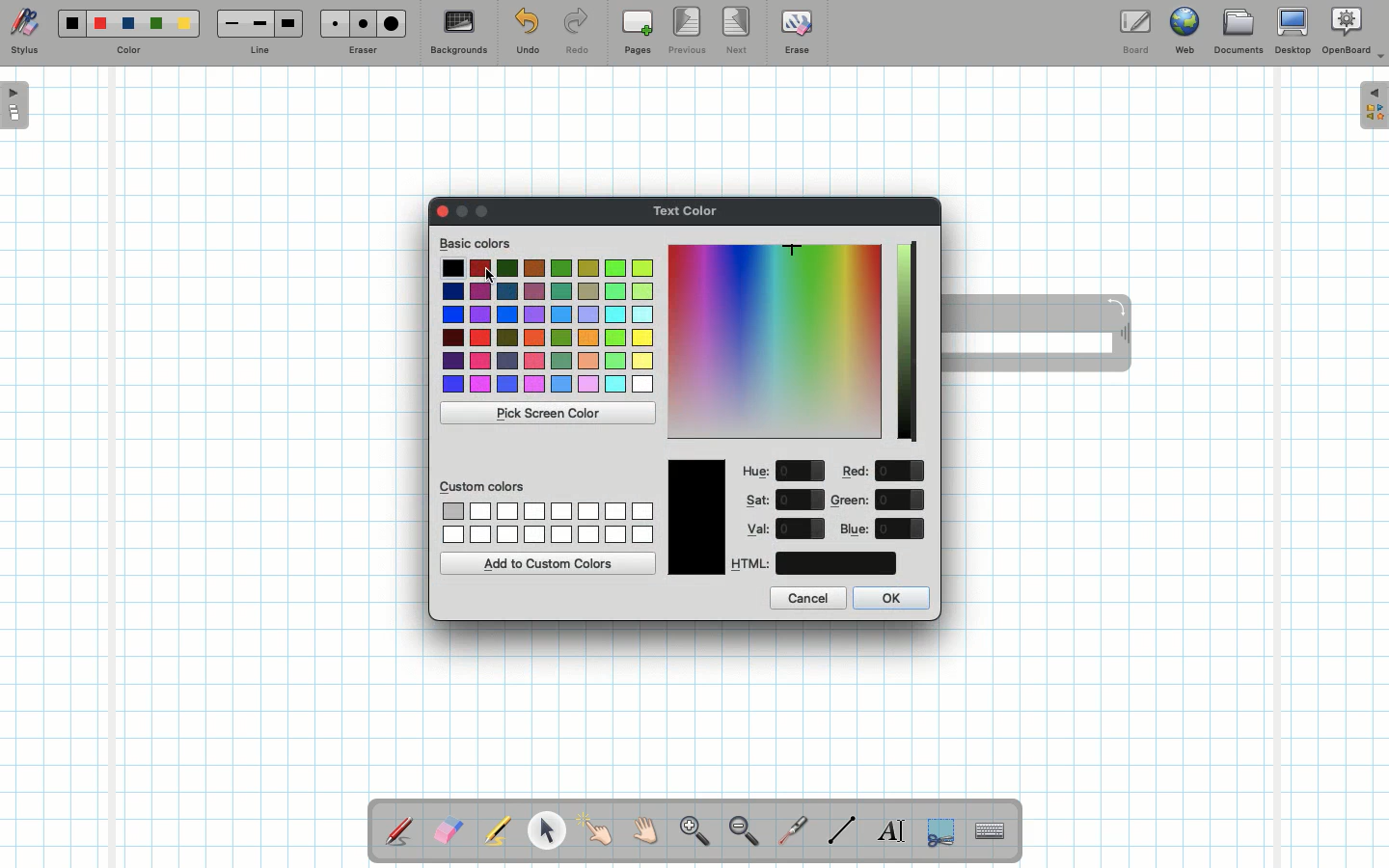 This screenshot has height=868, width=1389. Describe the element at coordinates (259, 51) in the screenshot. I see `Line` at that location.